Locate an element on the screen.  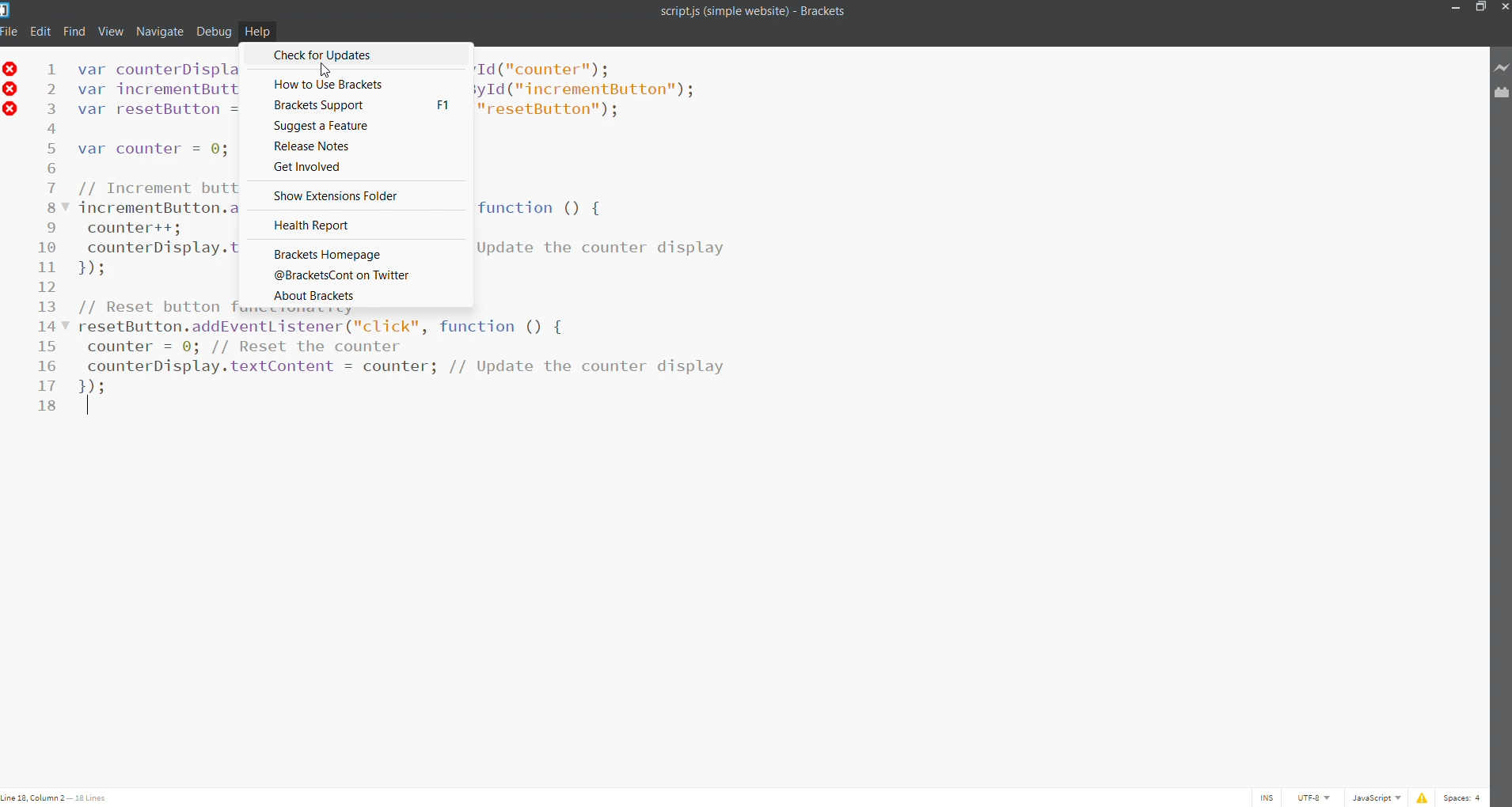
find is located at coordinates (76, 30).